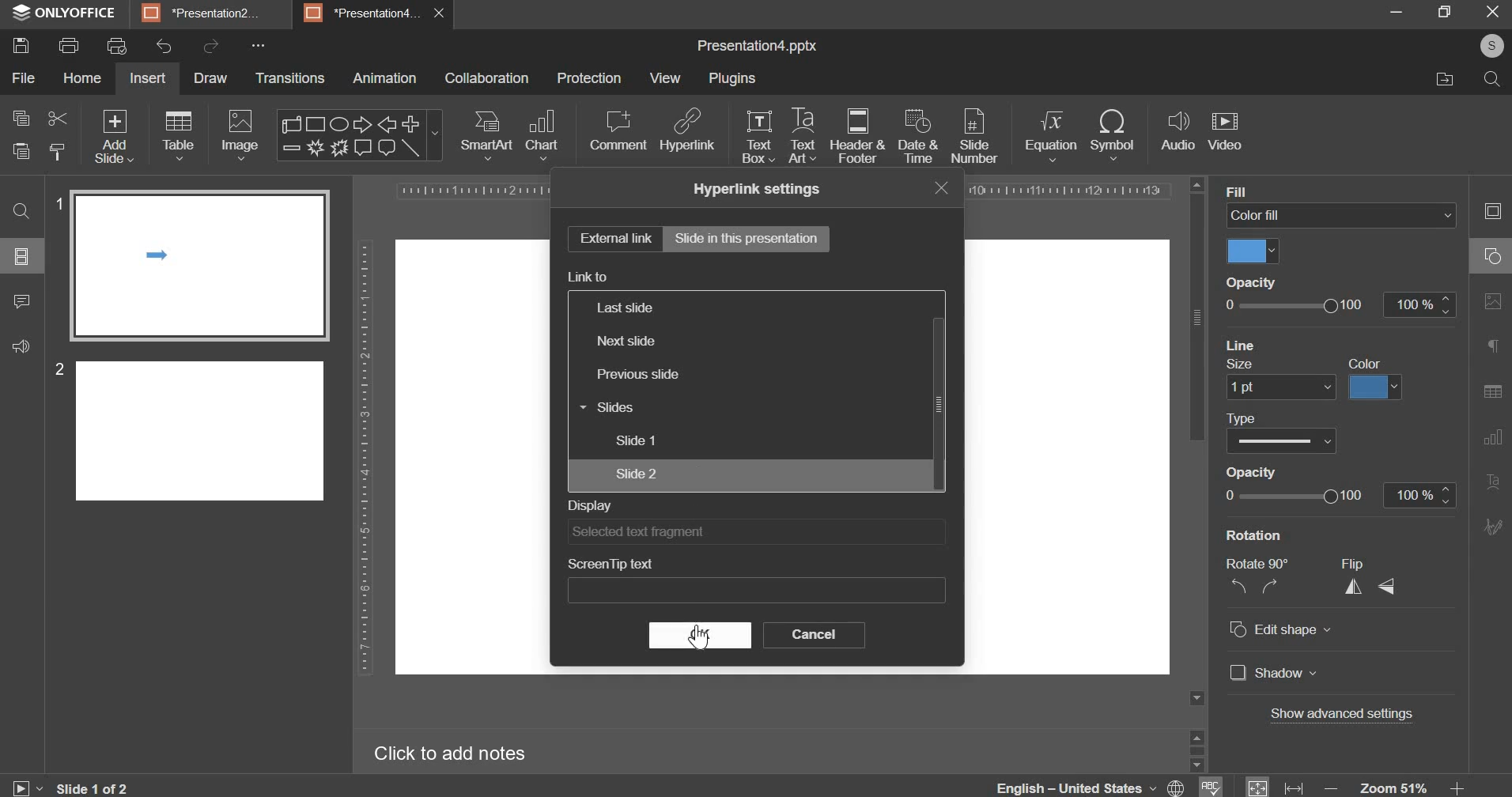 This screenshot has height=797, width=1512. What do you see at coordinates (1209, 780) in the screenshot?
I see `spelling` at bounding box center [1209, 780].